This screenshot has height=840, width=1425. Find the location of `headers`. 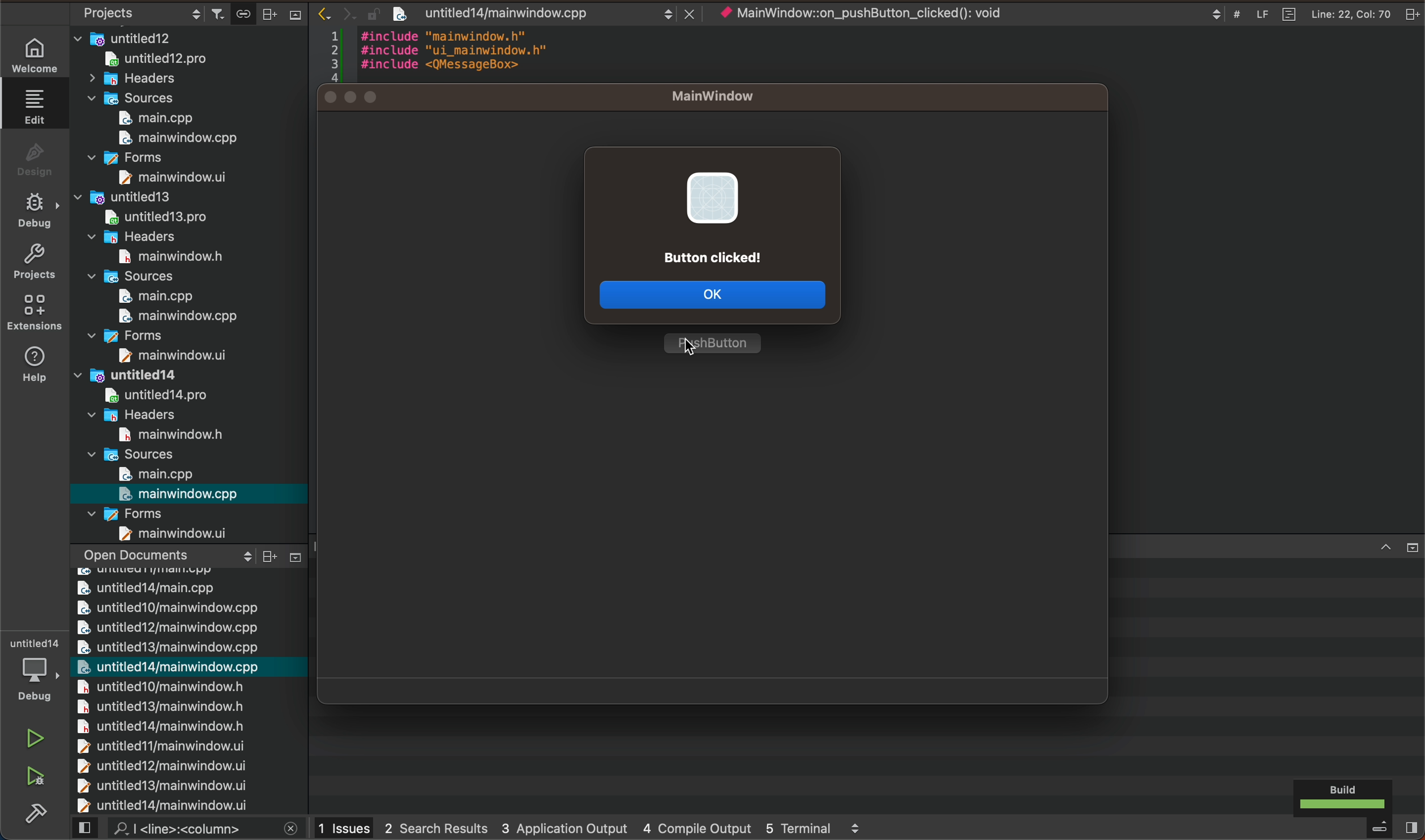

headers is located at coordinates (147, 80).